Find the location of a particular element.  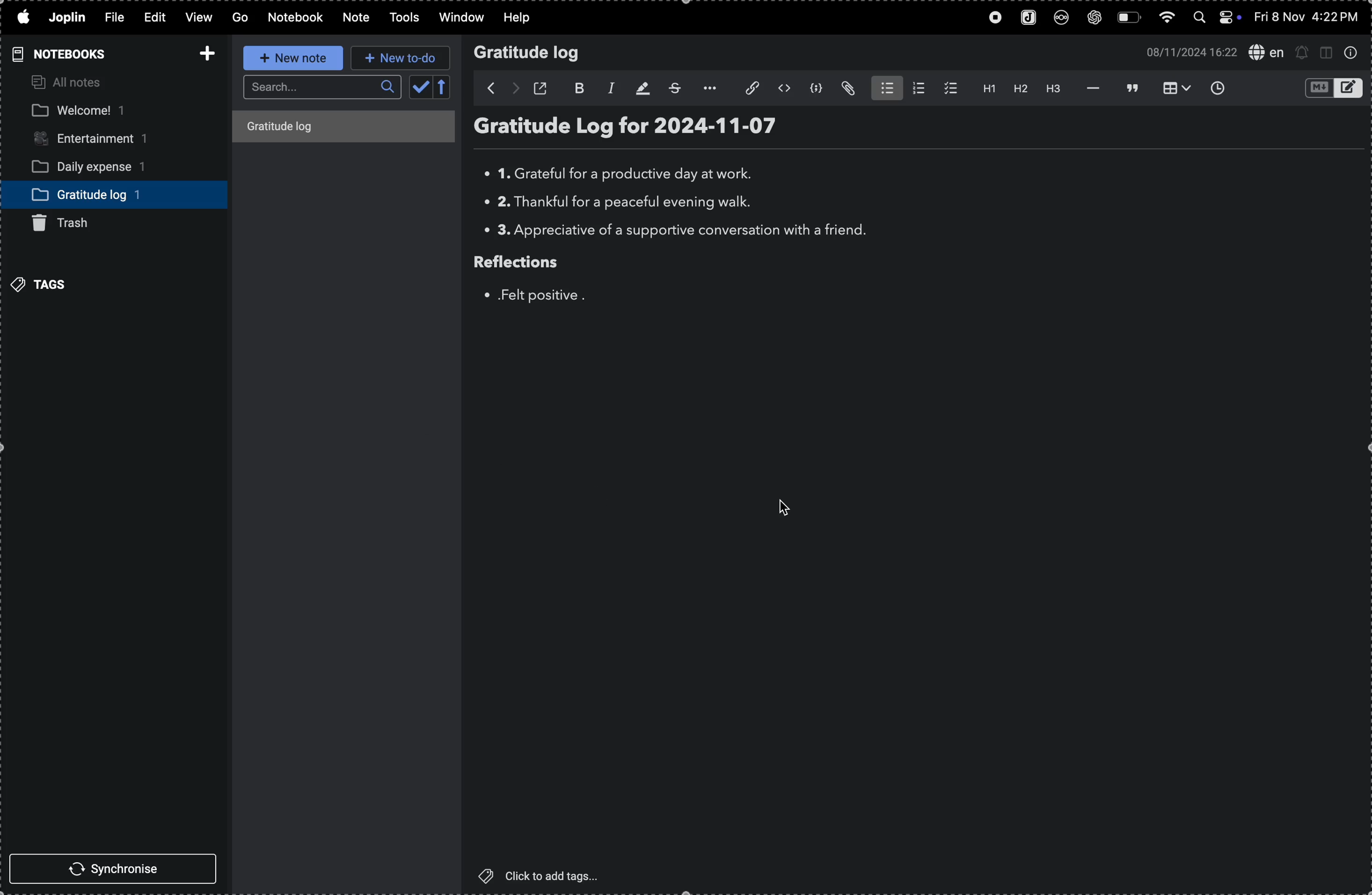

backward is located at coordinates (485, 89).